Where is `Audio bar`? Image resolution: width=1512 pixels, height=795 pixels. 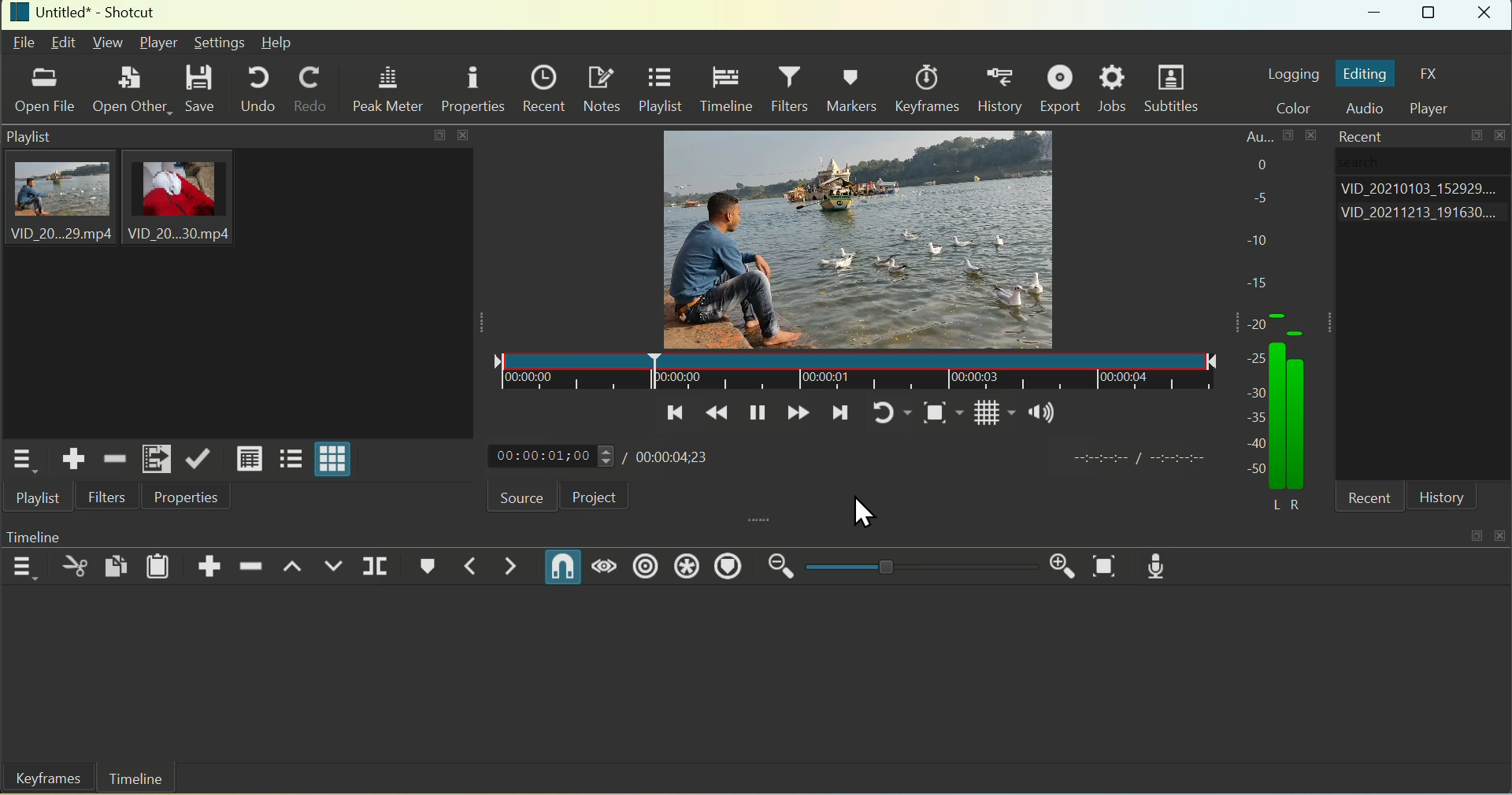
Audio bar is located at coordinates (1258, 301).